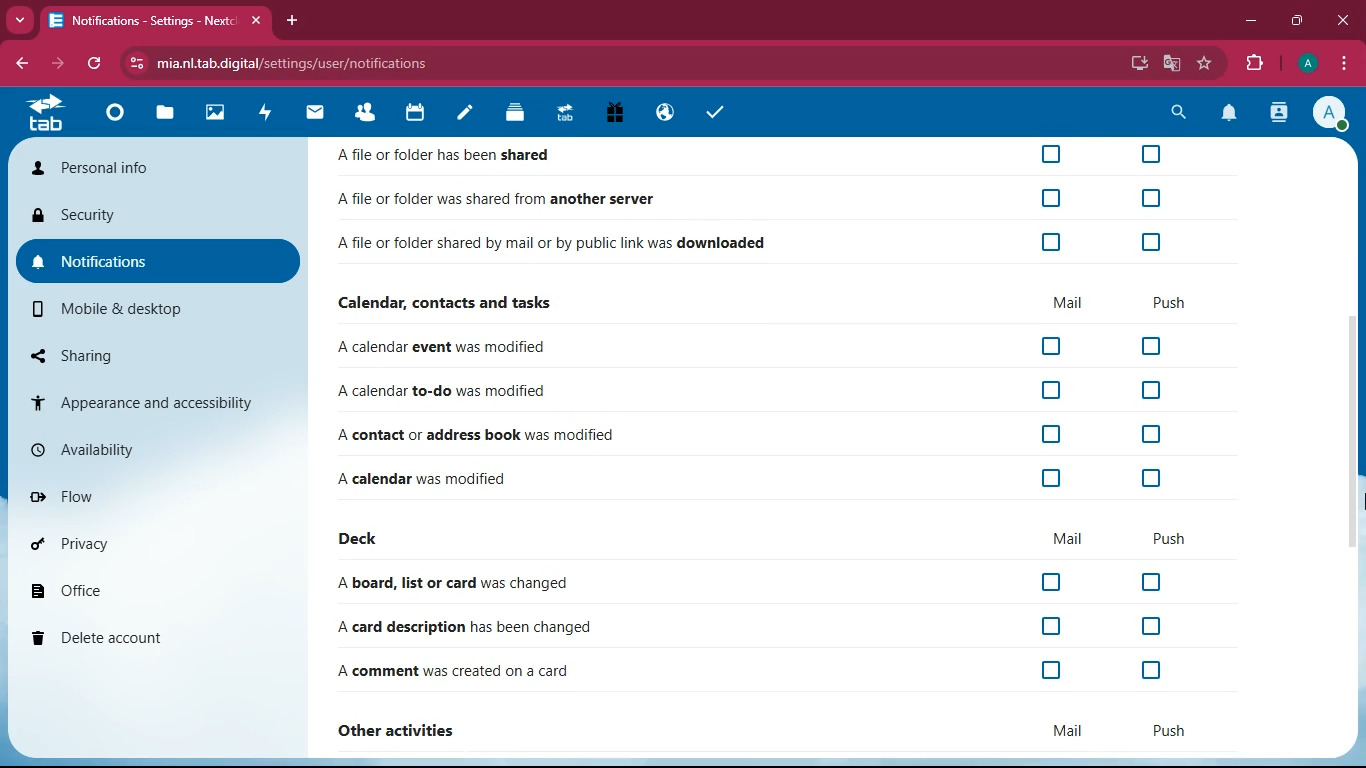 The height and width of the screenshot is (768, 1366). Describe the element at coordinates (463, 630) in the screenshot. I see `A card description has been changed` at that location.